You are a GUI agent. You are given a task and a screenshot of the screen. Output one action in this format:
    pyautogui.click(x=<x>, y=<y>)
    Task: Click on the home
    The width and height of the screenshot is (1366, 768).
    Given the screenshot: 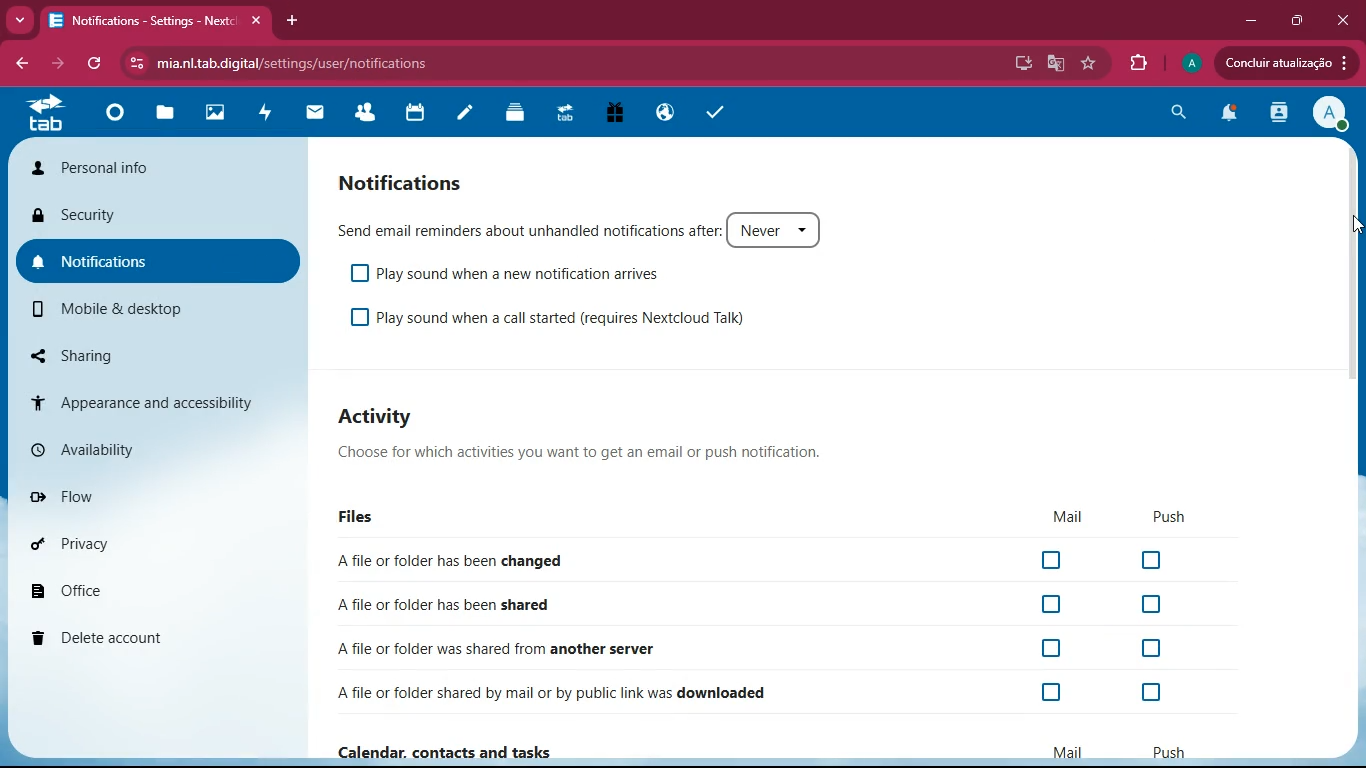 What is the action you would take?
    pyautogui.click(x=118, y=118)
    